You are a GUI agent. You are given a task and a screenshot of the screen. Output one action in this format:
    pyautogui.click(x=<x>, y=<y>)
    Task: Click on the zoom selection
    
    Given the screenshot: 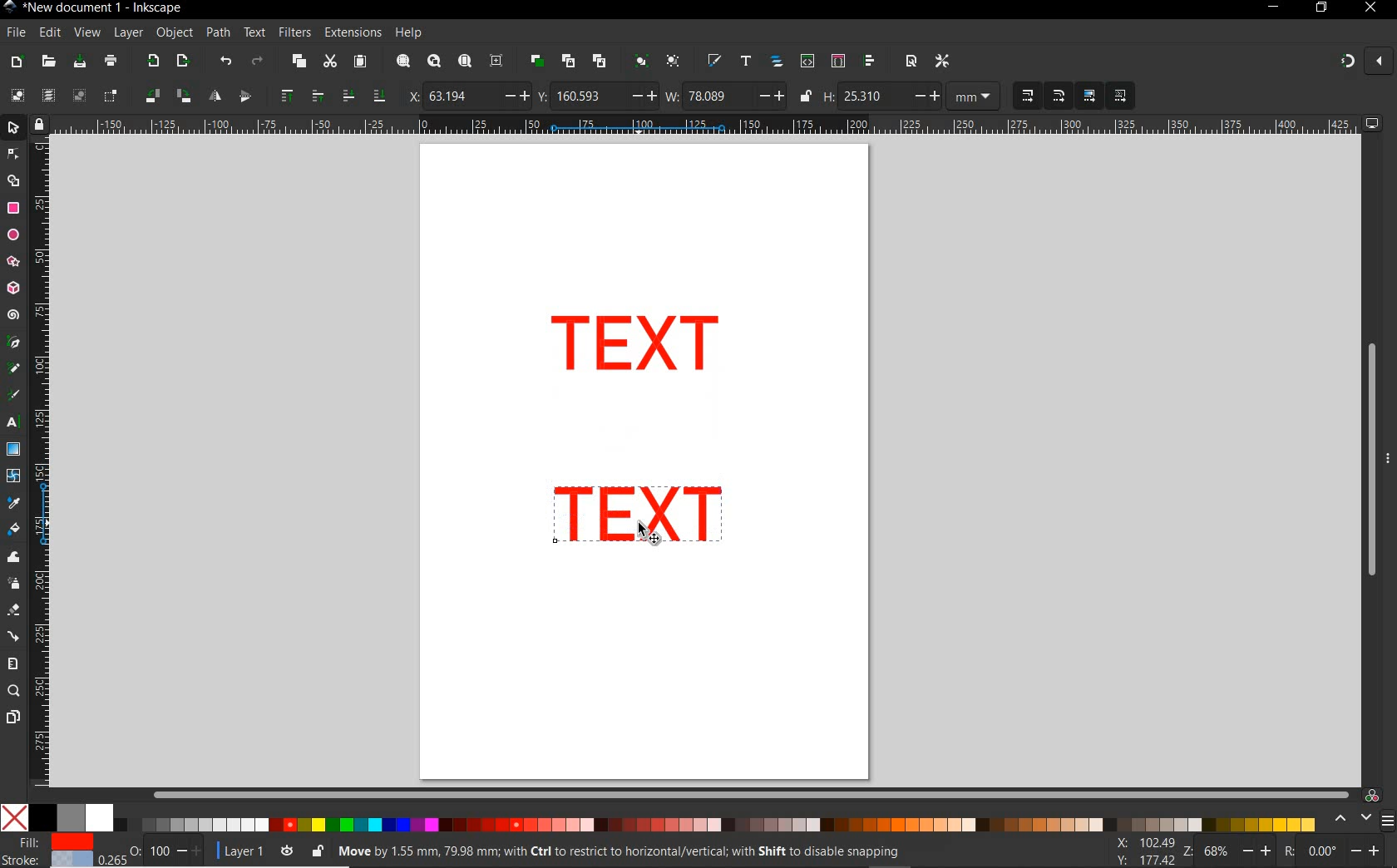 What is the action you would take?
    pyautogui.click(x=402, y=62)
    